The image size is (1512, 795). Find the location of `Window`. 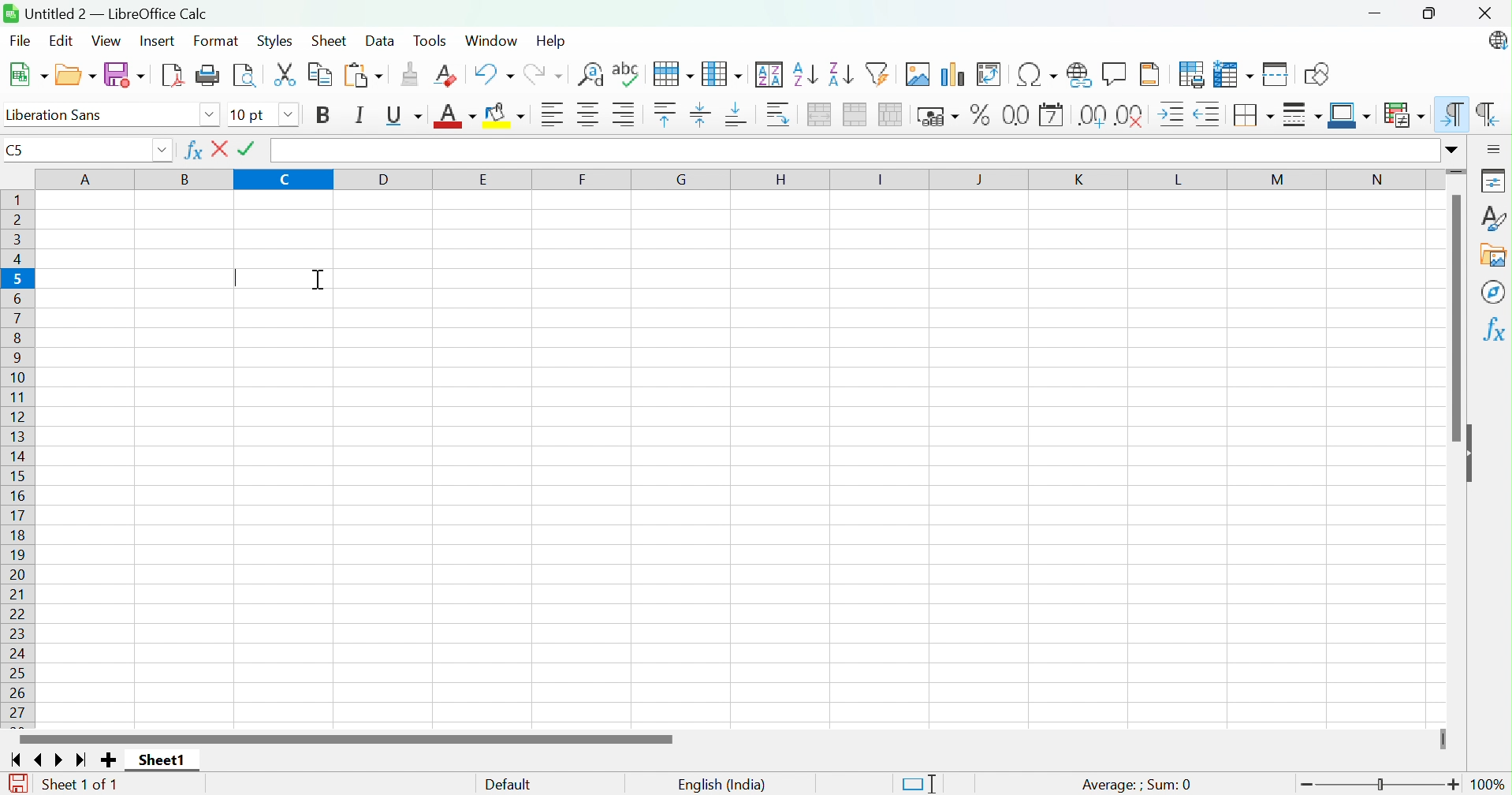

Window is located at coordinates (490, 40).